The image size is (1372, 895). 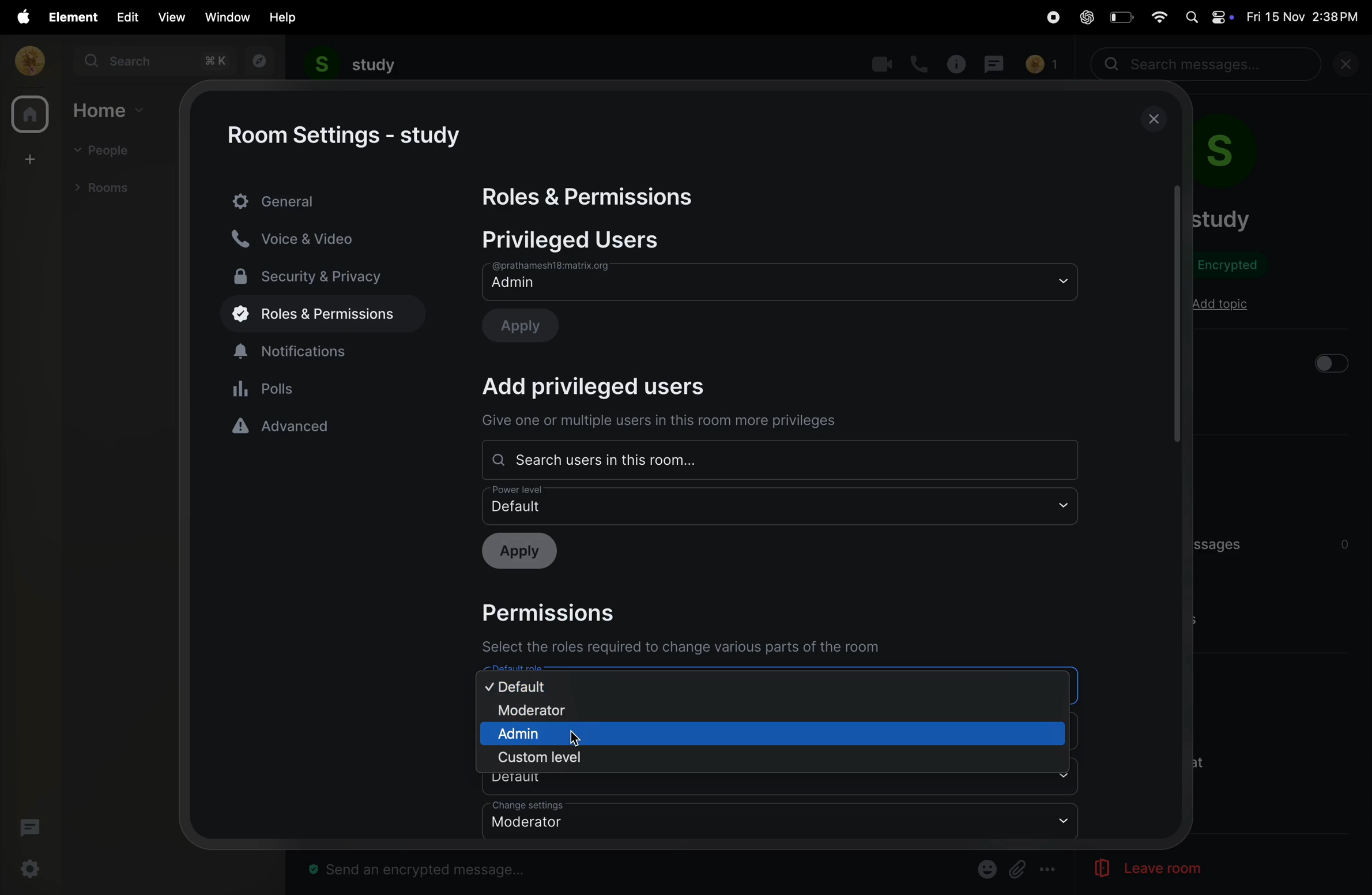 What do you see at coordinates (1241, 156) in the screenshot?
I see `room profile` at bounding box center [1241, 156].